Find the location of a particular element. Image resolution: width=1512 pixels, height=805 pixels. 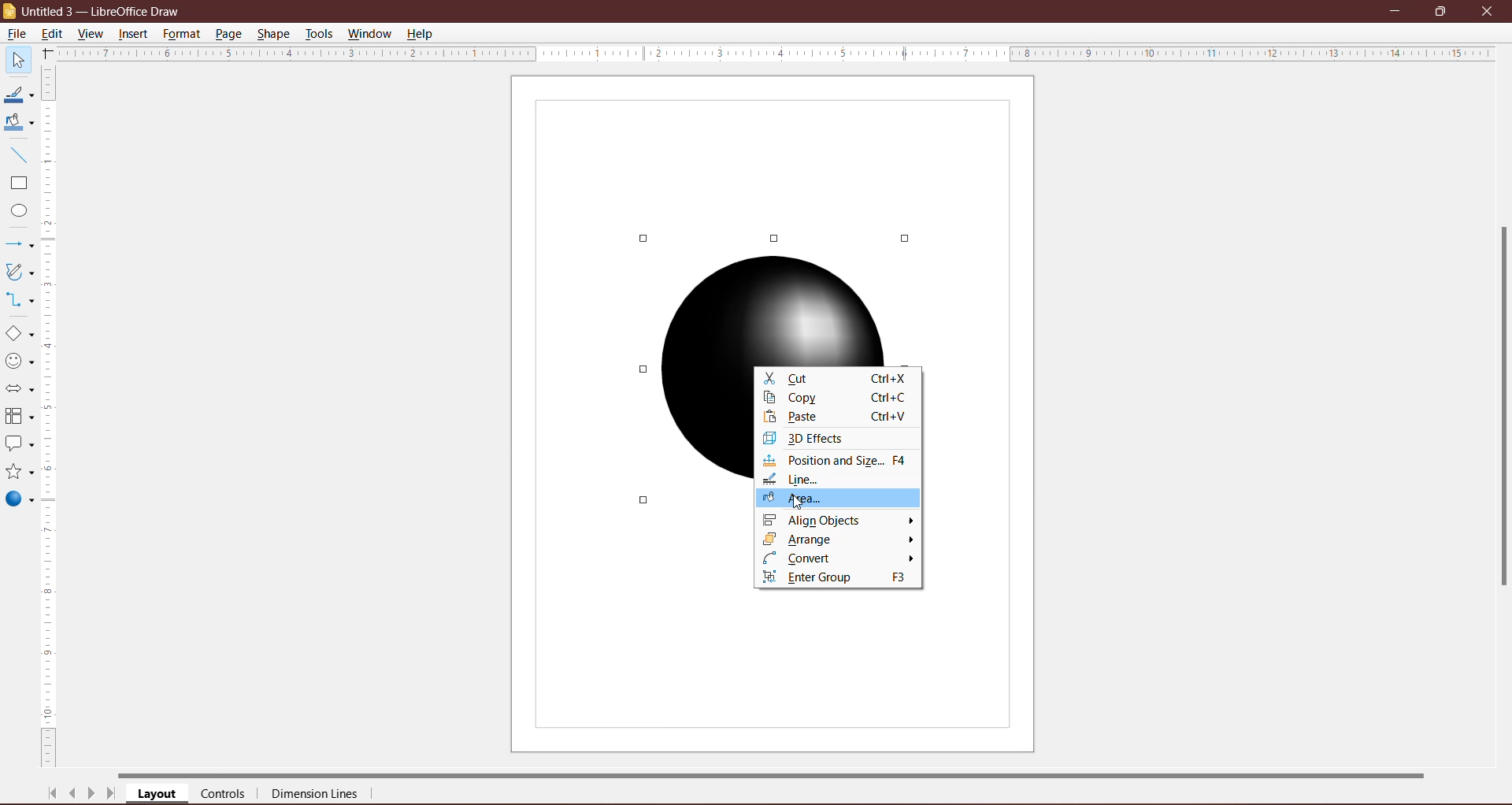

Close is located at coordinates (1487, 10).